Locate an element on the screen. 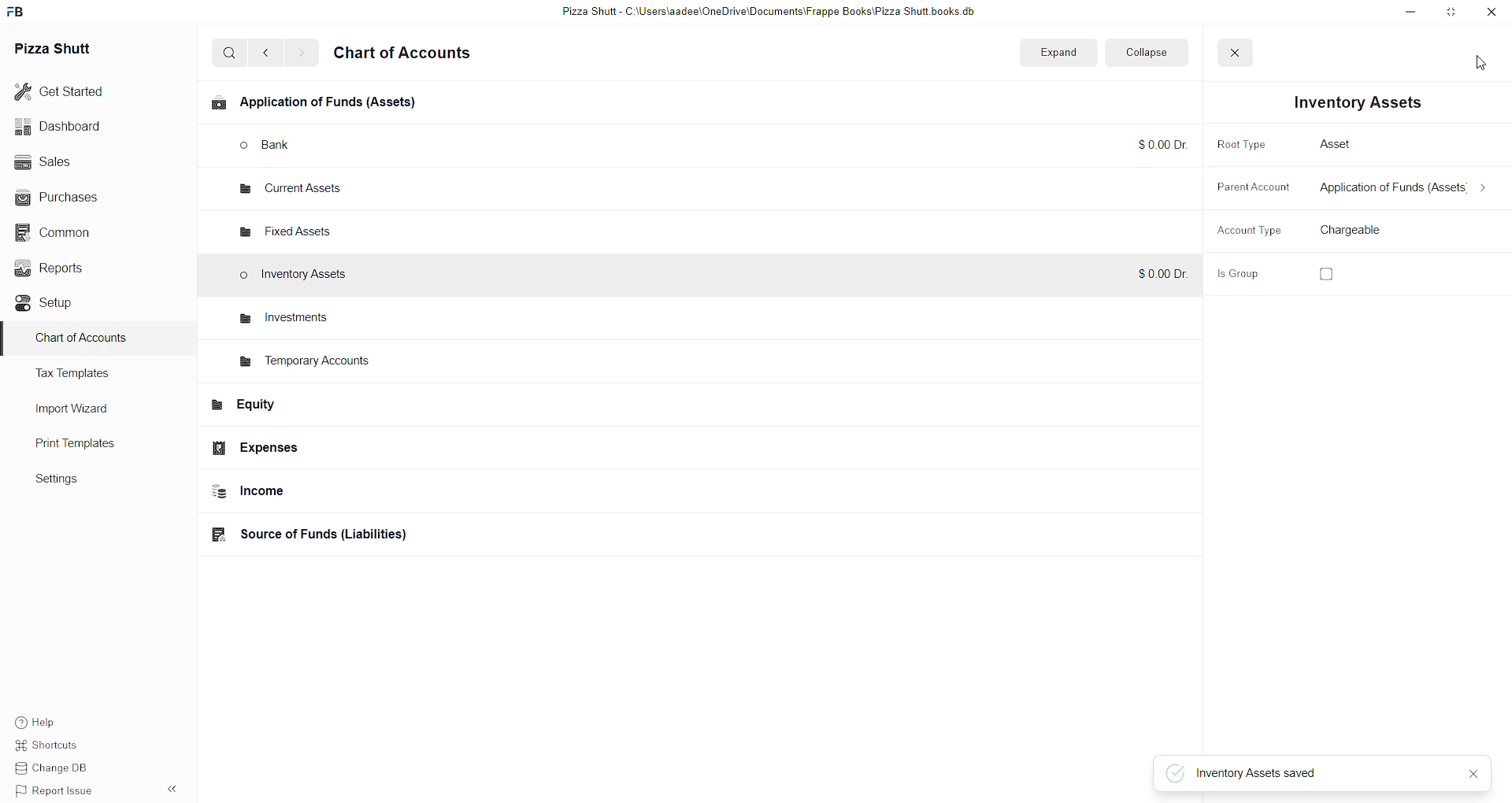 The width and height of the screenshot is (1512, 803). select parent account  is located at coordinates (1398, 191).